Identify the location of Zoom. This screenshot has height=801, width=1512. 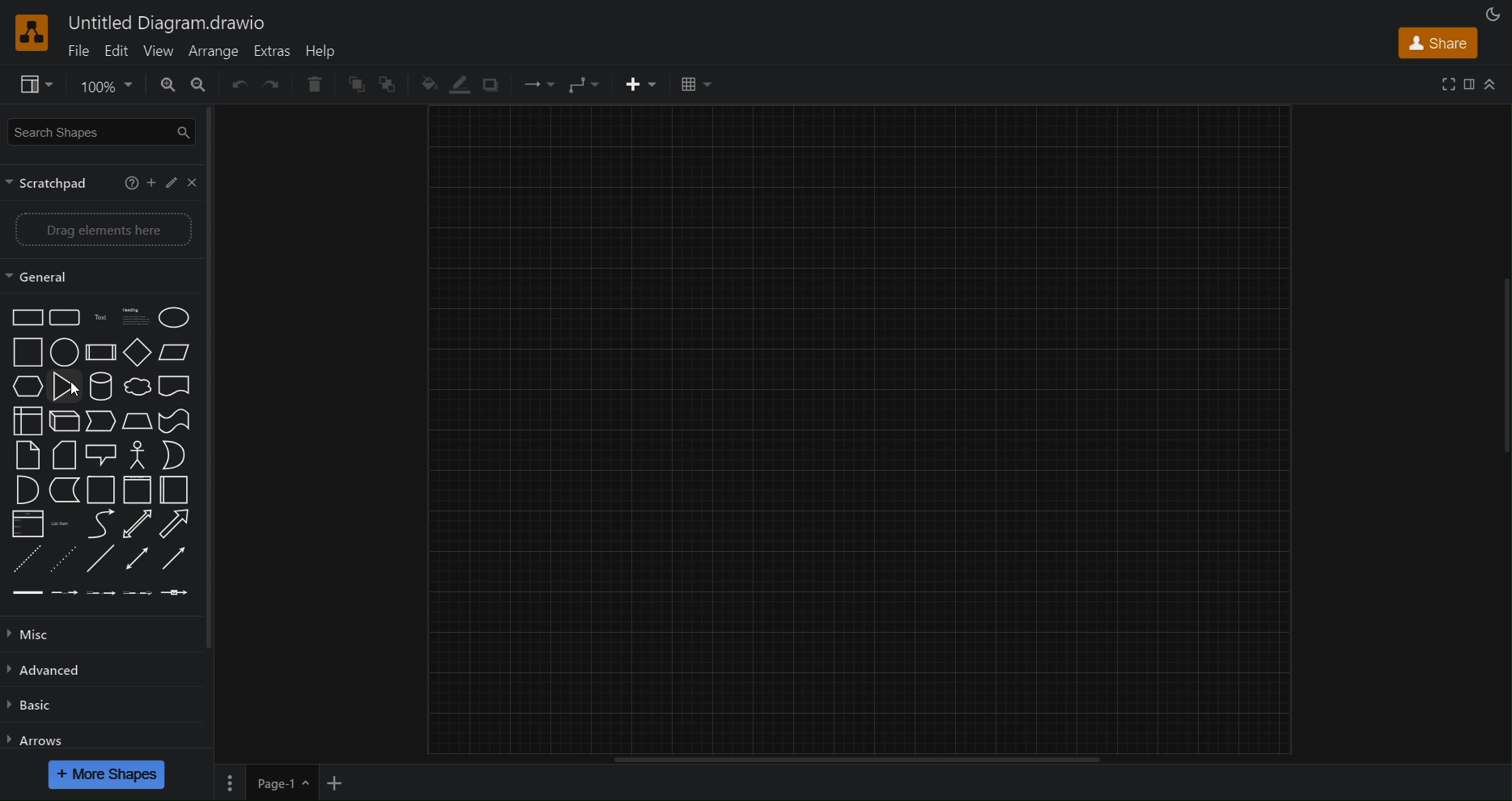
(108, 85).